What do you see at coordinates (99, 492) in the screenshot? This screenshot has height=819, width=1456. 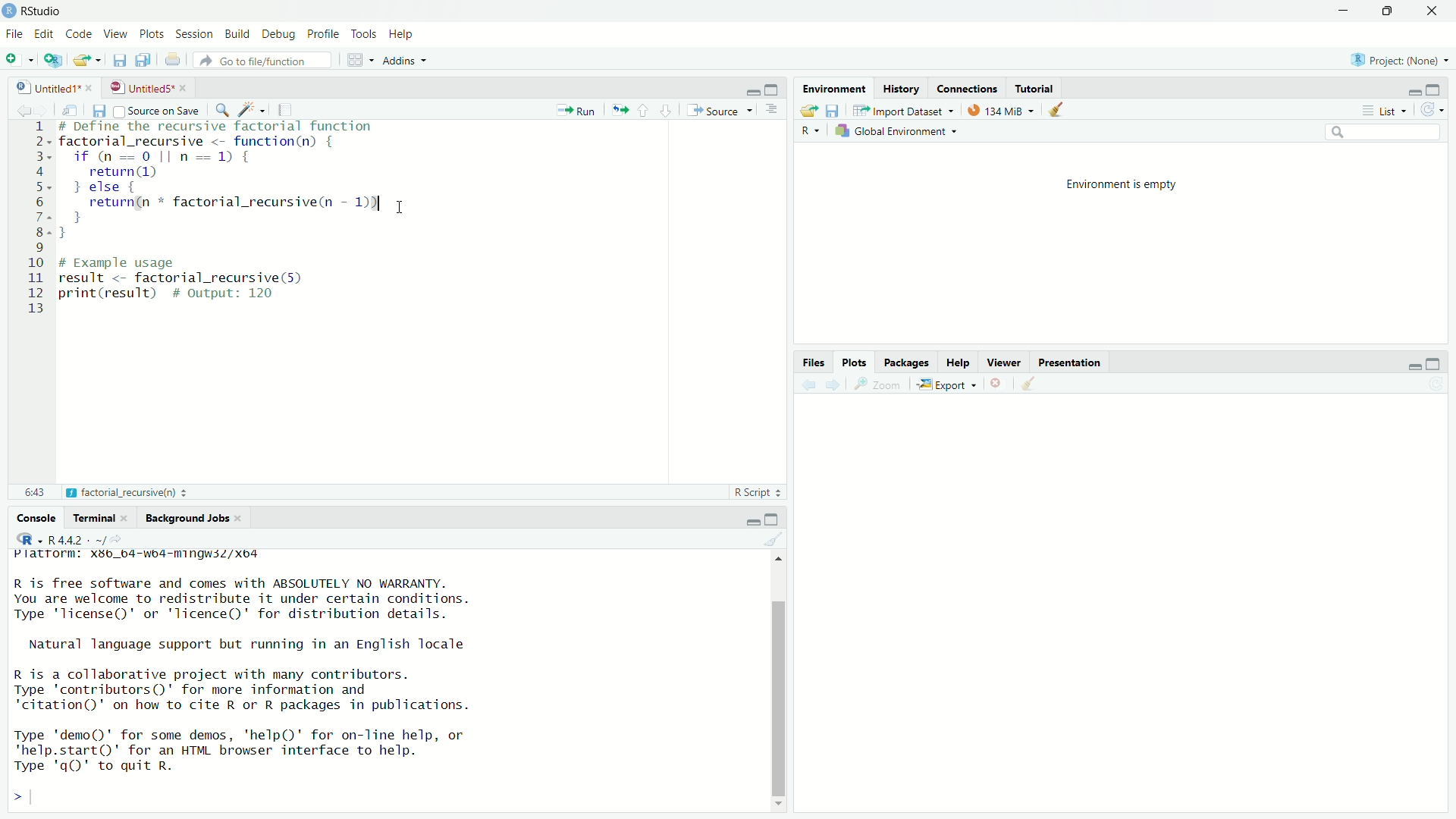 I see `(Top Level)` at bounding box center [99, 492].